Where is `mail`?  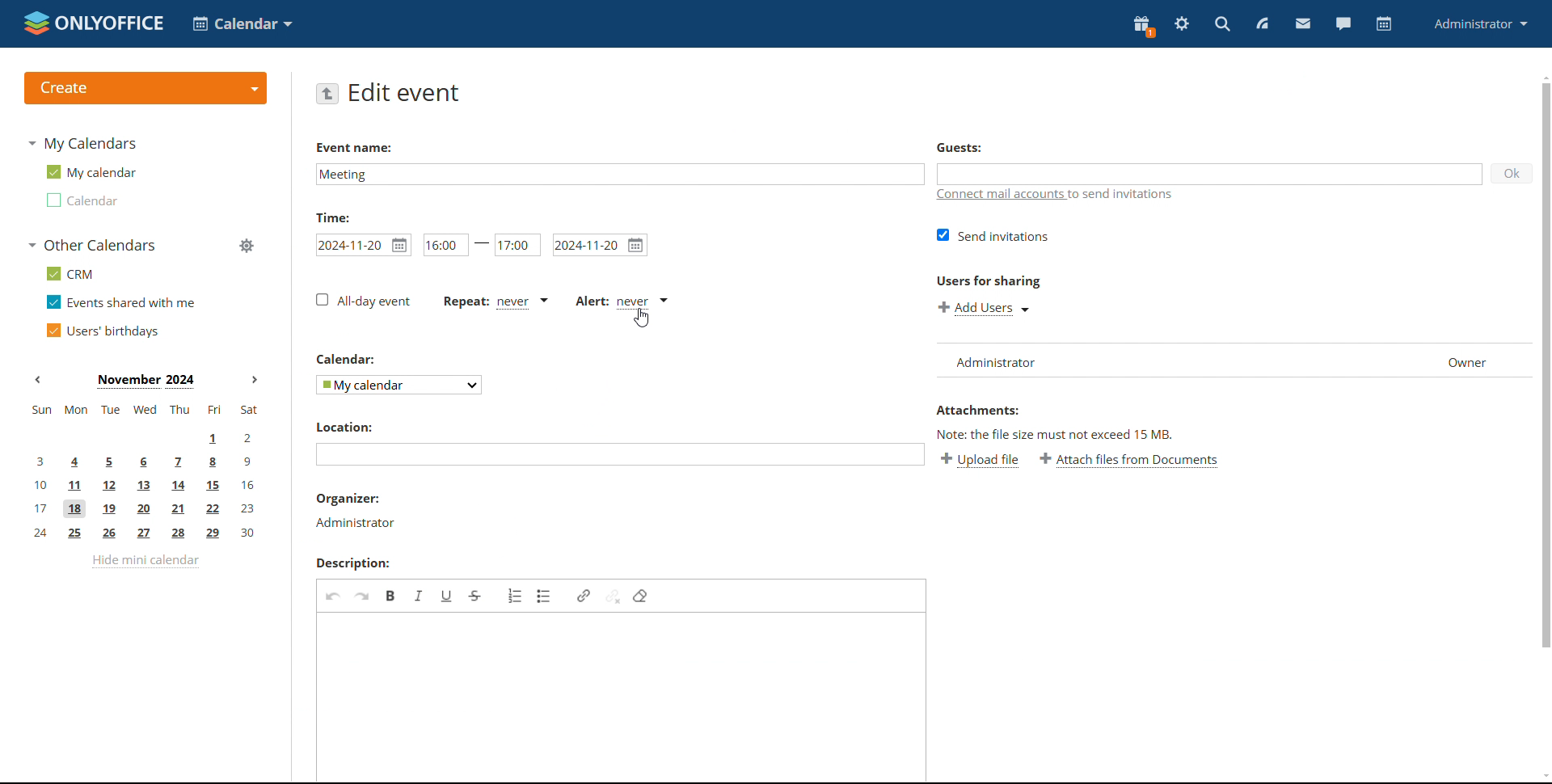 mail is located at coordinates (1303, 25).